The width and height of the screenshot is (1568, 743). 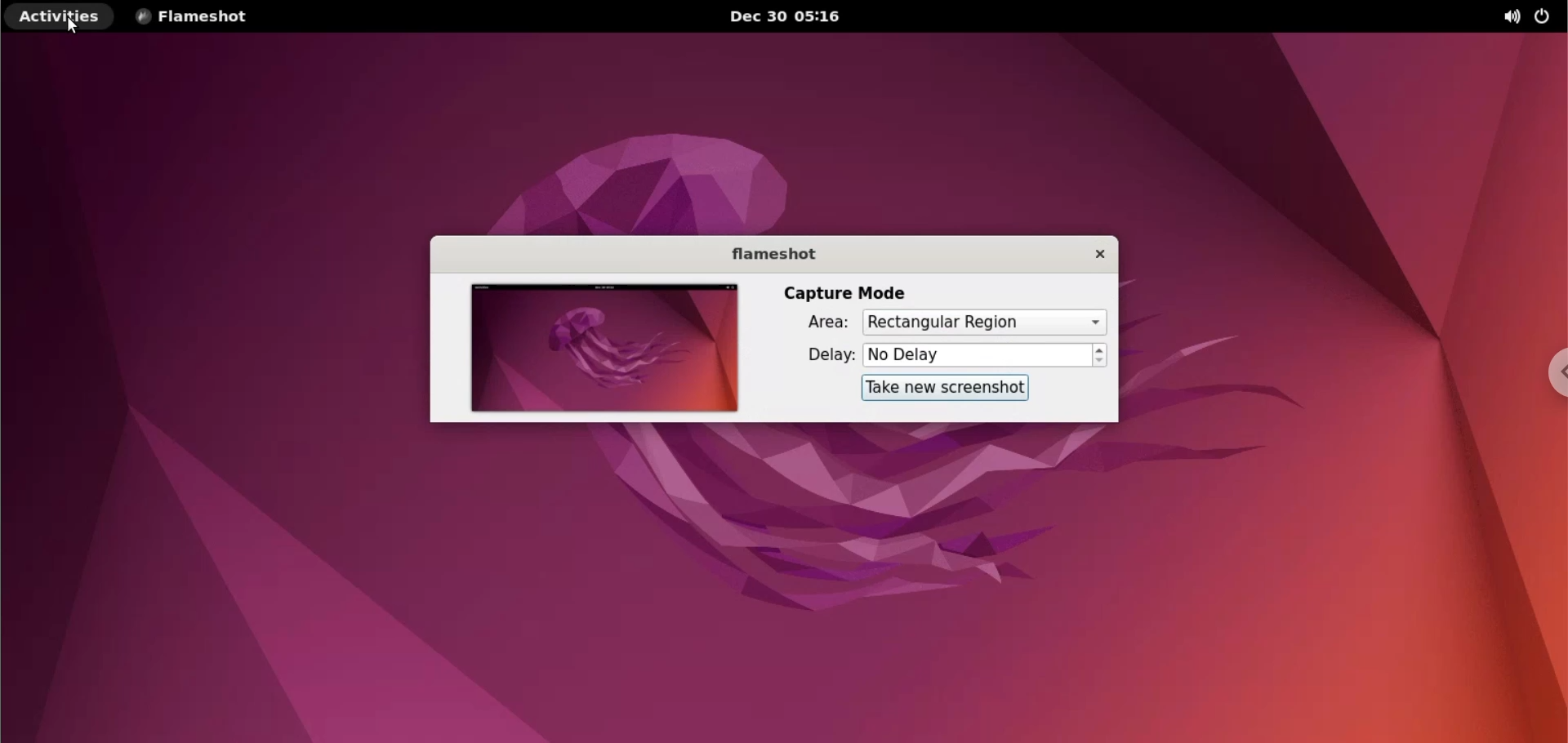 What do you see at coordinates (824, 323) in the screenshot?
I see `area:` at bounding box center [824, 323].